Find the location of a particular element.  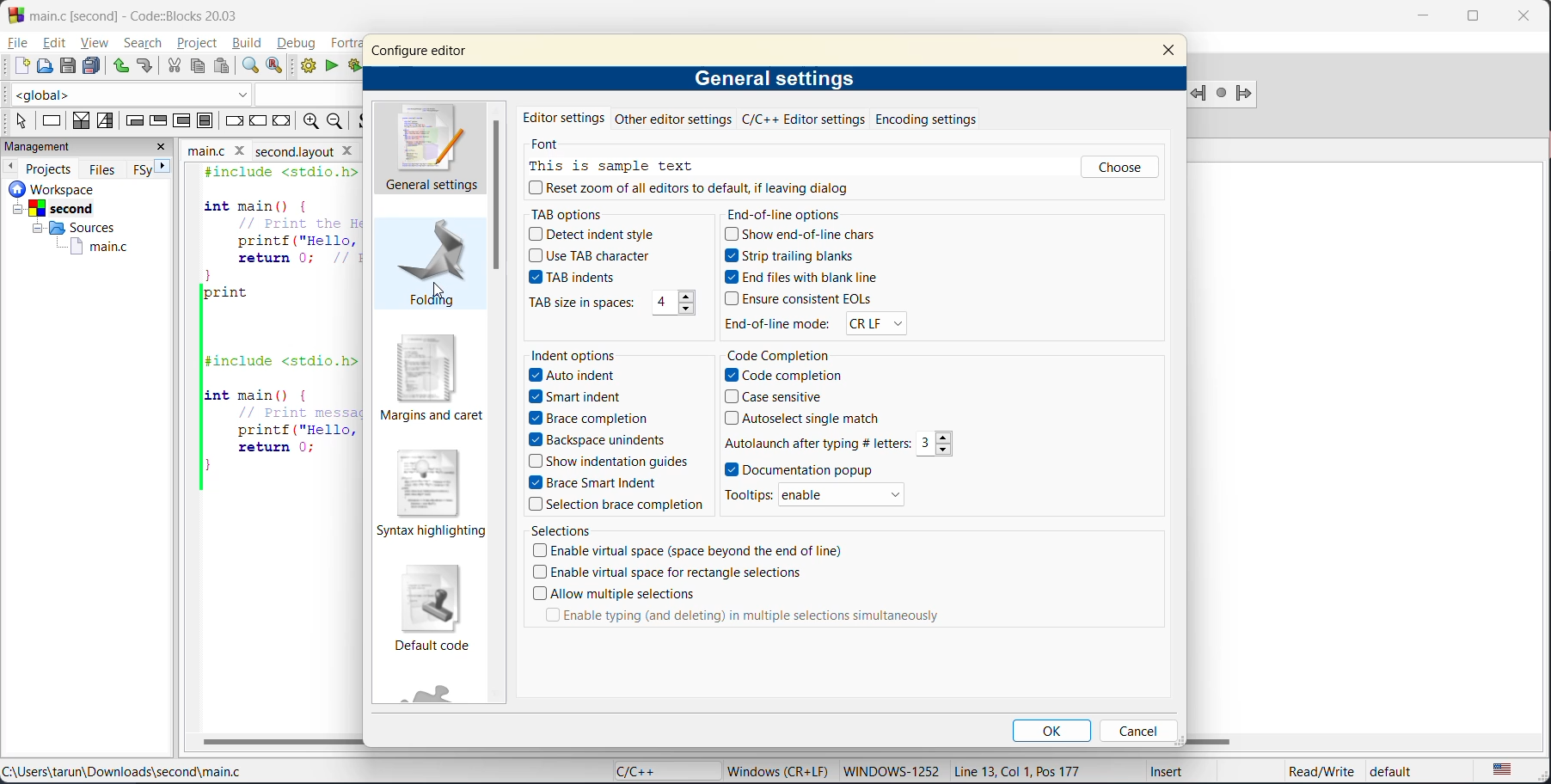

minimize is located at coordinates (1424, 18).